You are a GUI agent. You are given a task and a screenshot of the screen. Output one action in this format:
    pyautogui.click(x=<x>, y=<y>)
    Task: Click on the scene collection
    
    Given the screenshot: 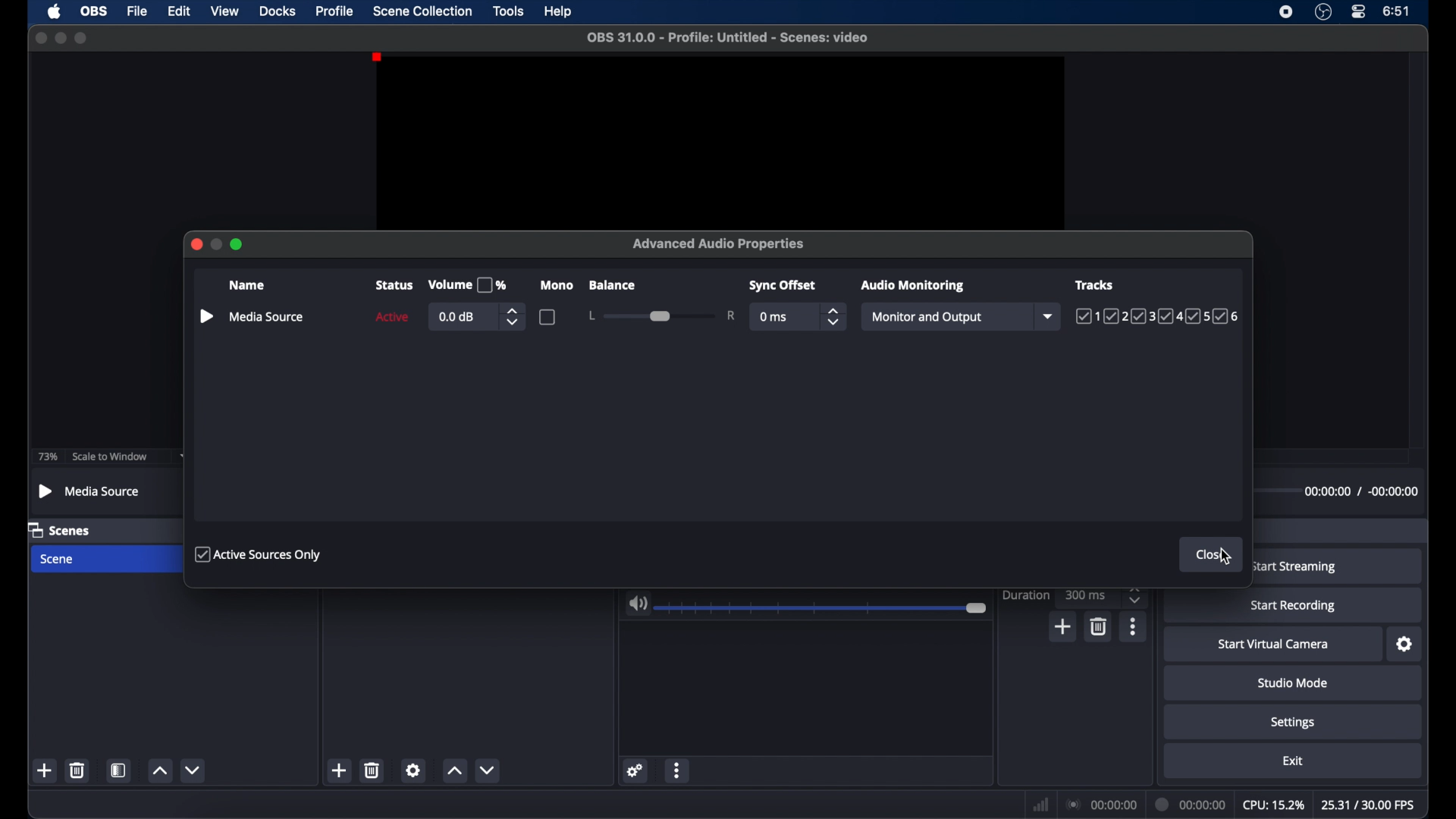 What is the action you would take?
    pyautogui.click(x=422, y=11)
    